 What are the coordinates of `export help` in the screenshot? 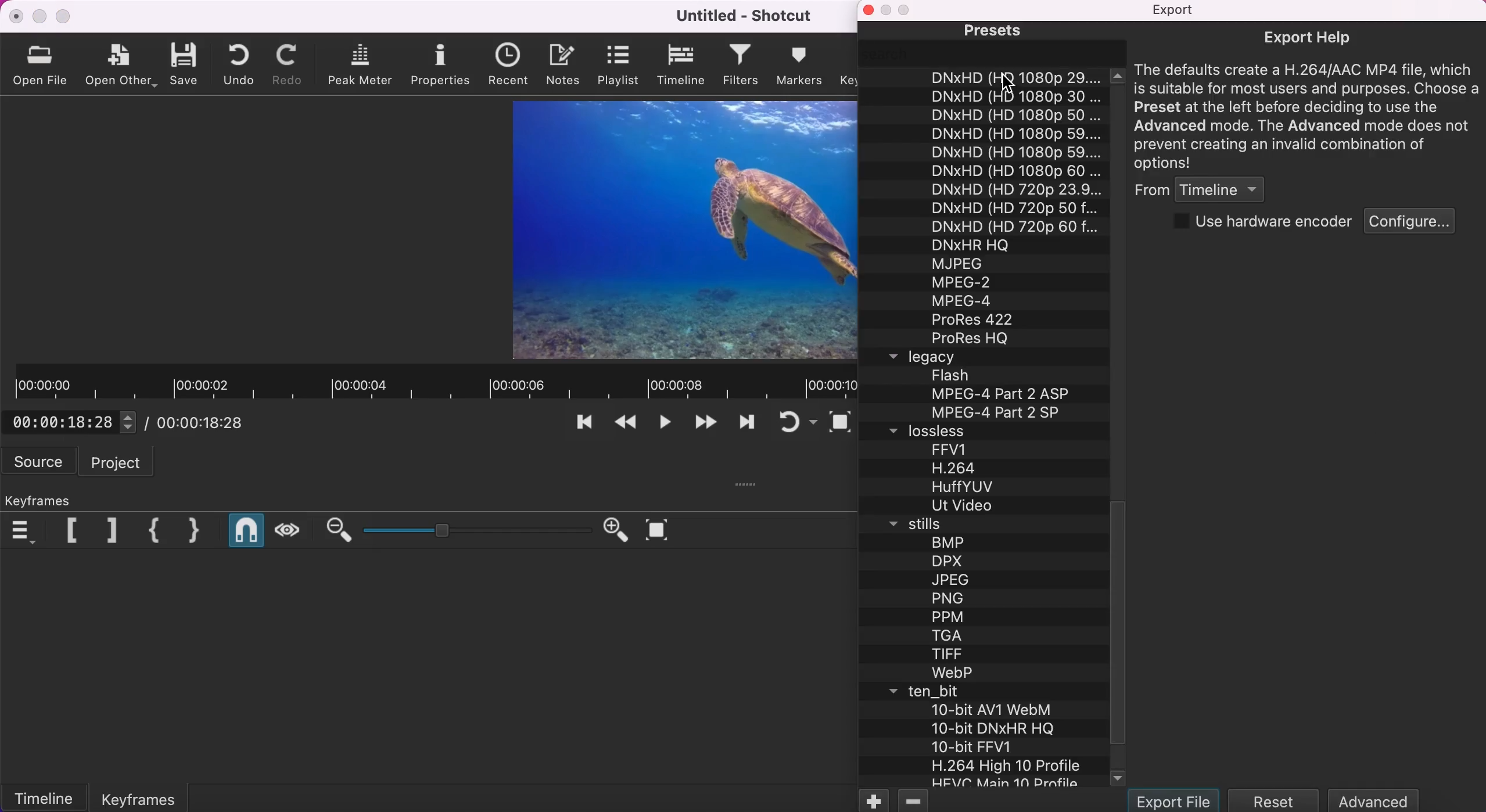 It's located at (1306, 36).